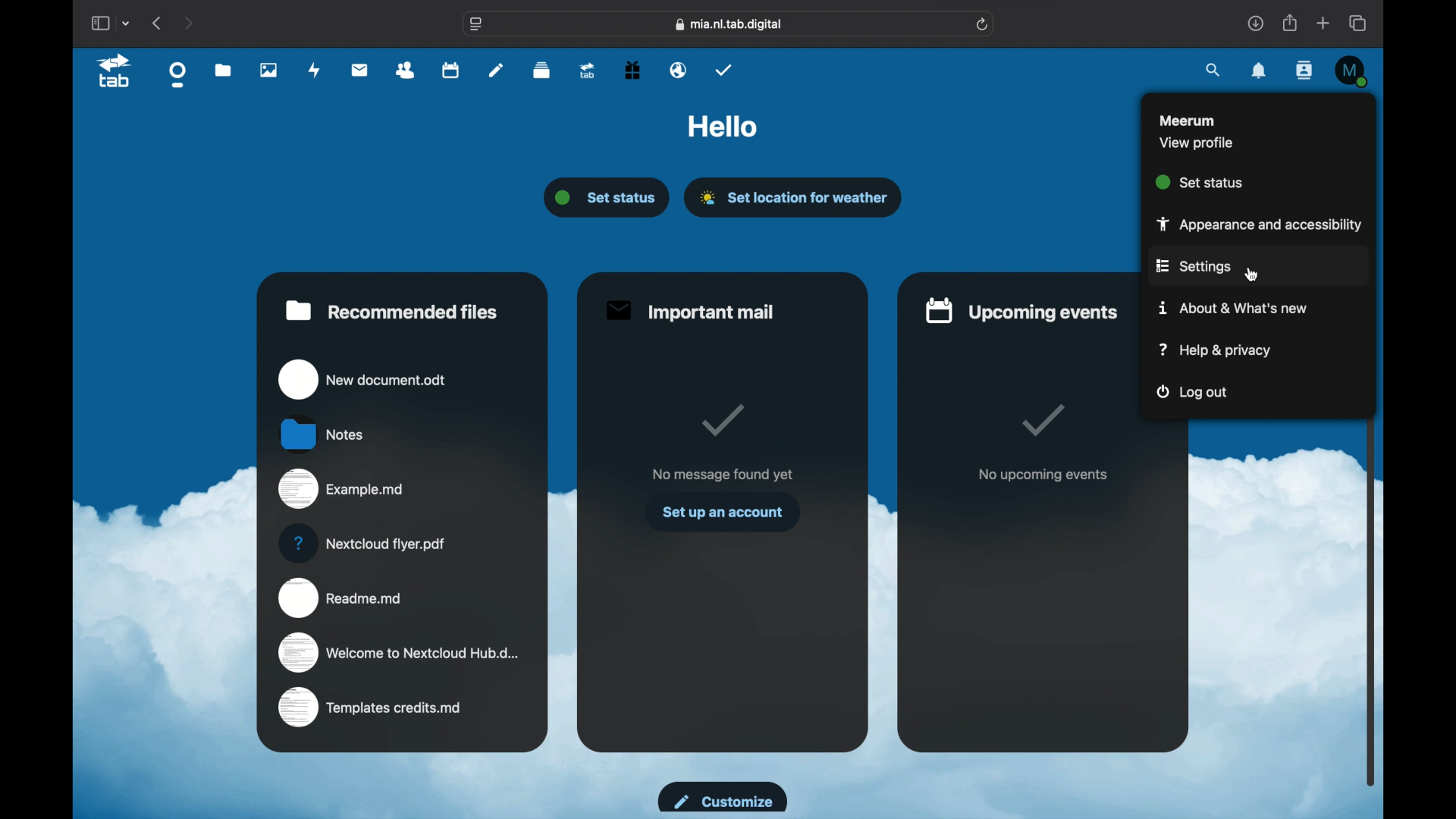  Describe the element at coordinates (269, 71) in the screenshot. I see `photos` at that location.